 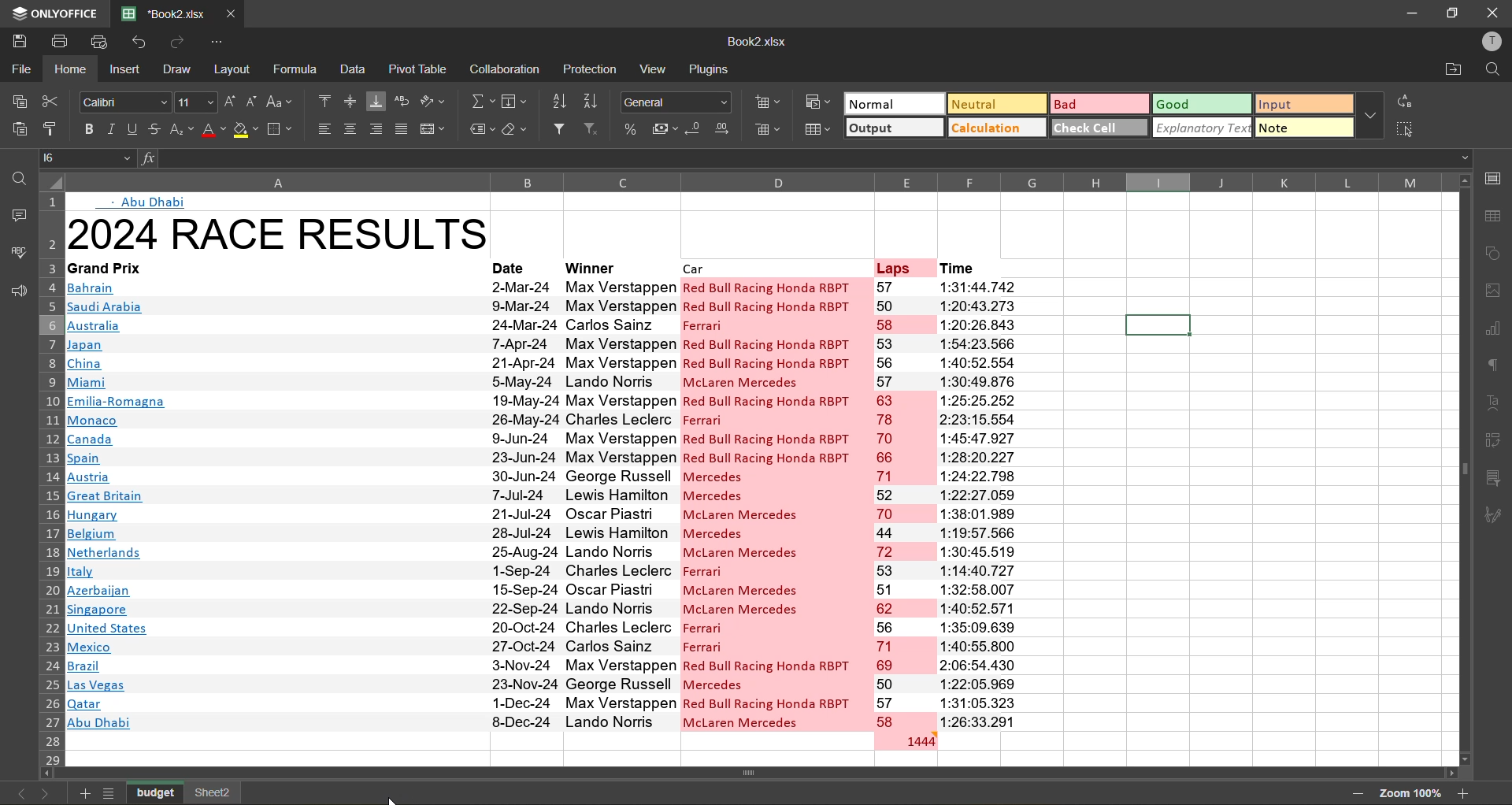 What do you see at coordinates (1357, 795) in the screenshot?
I see `zoom out` at bounding box center [1357, 795].